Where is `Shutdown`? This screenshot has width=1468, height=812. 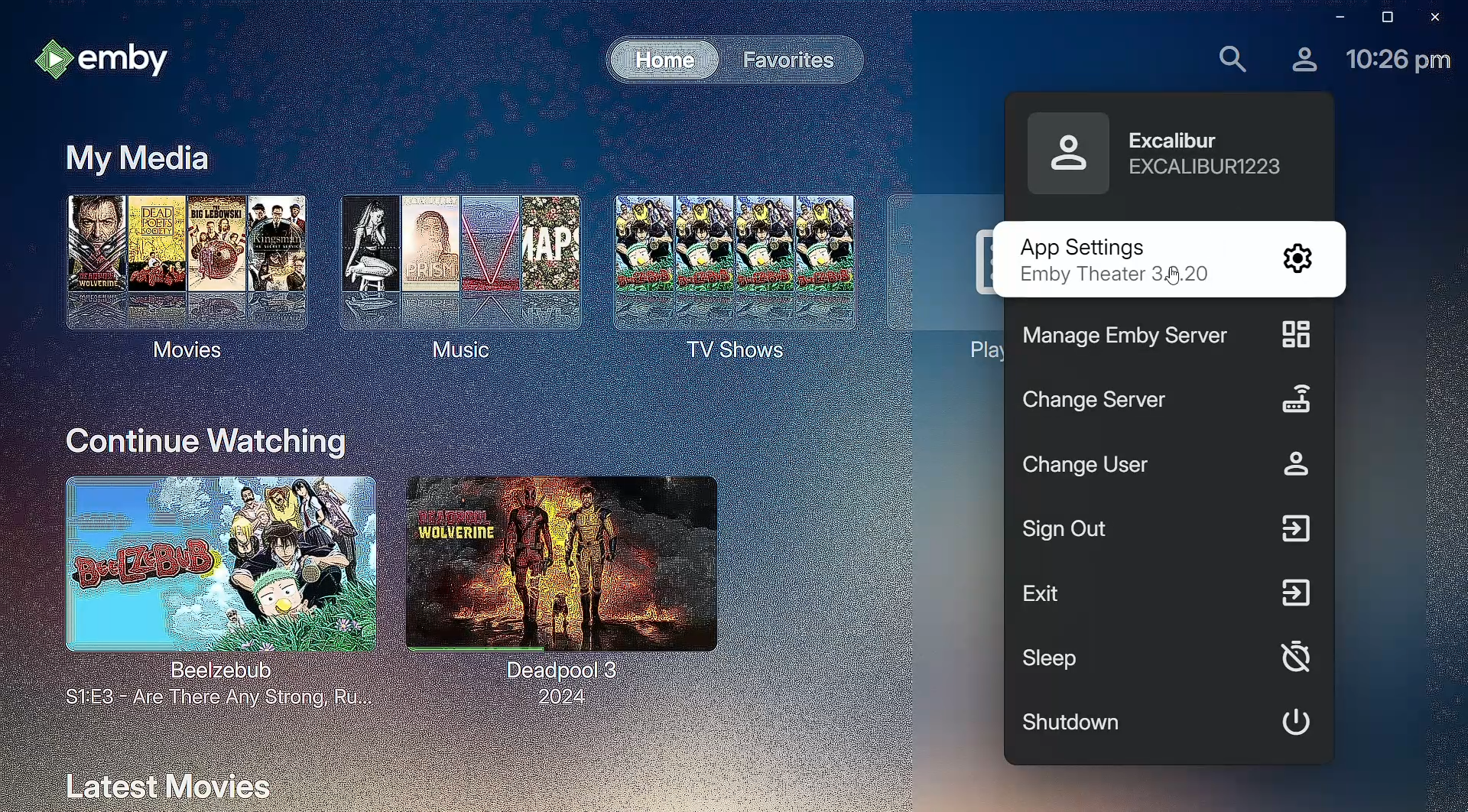 Shutdown is located at coordinates (1171, 726).